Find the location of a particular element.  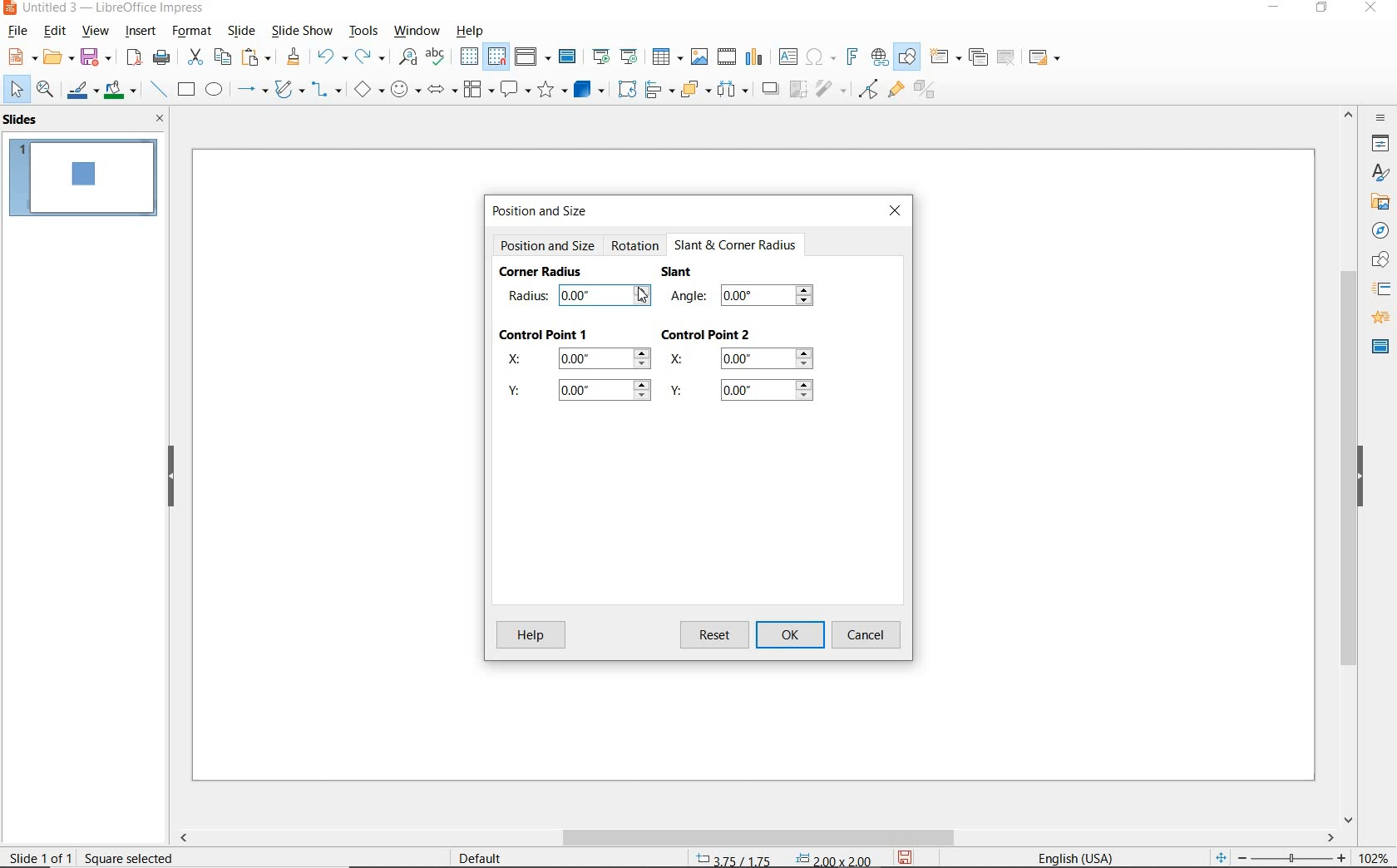

SLANT is located at coordinates (678, 274).